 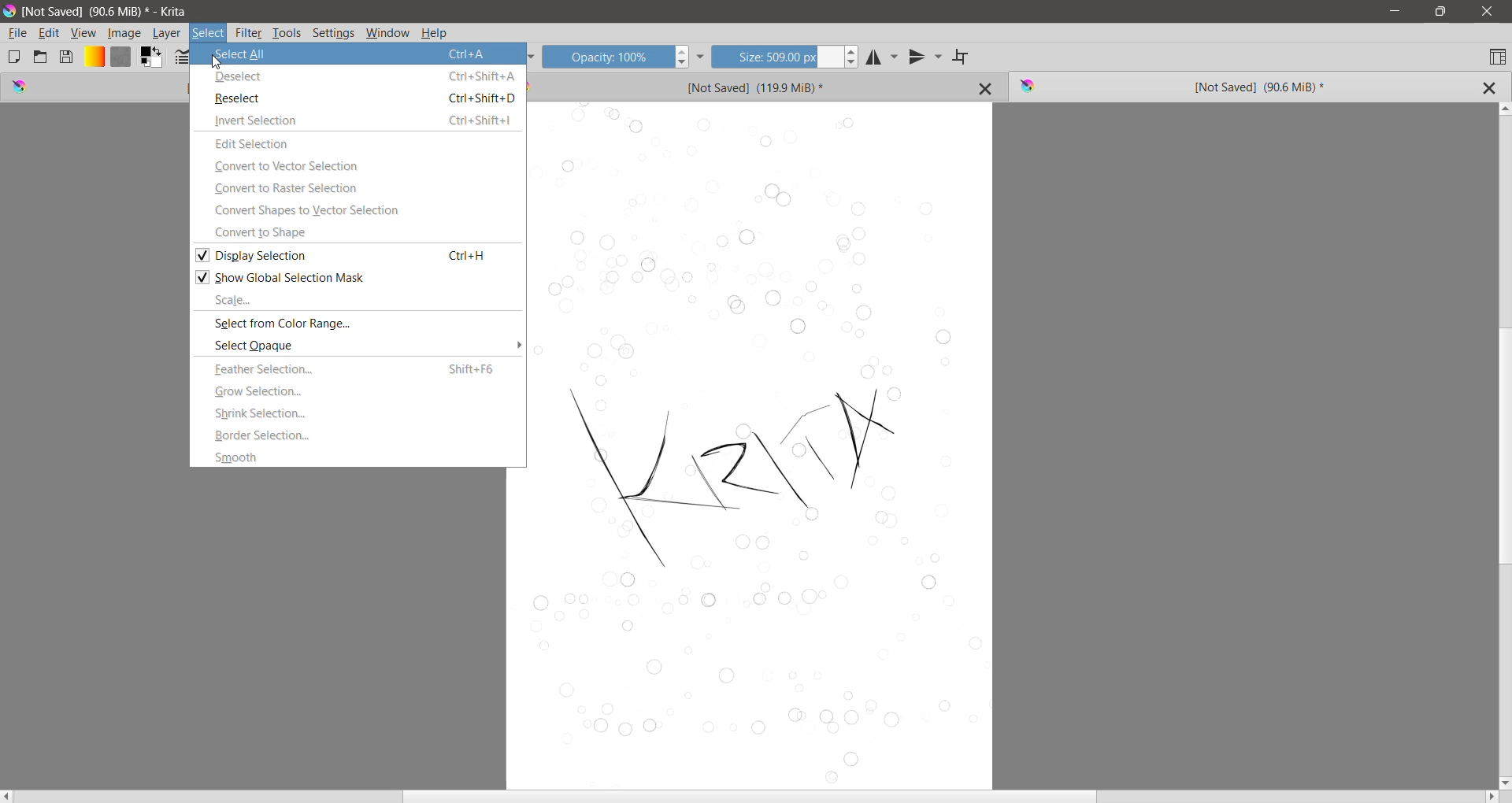 What do you see at coordinates (1488, 12) in the screenshot?
I see `Close` at bounding box center [1488, 12].